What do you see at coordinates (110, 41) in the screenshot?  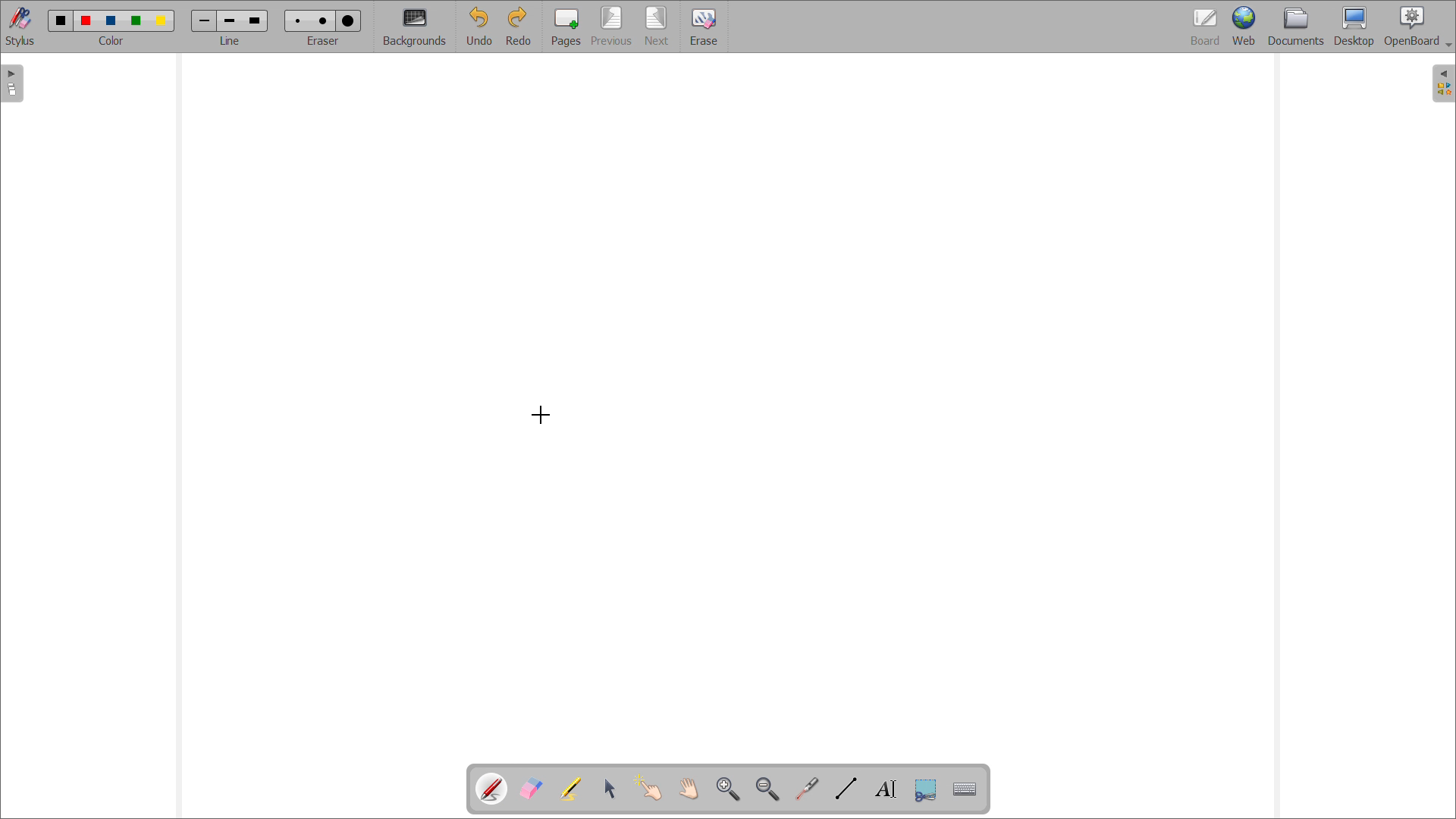 I see `select color` at bounding box center [110, 41].